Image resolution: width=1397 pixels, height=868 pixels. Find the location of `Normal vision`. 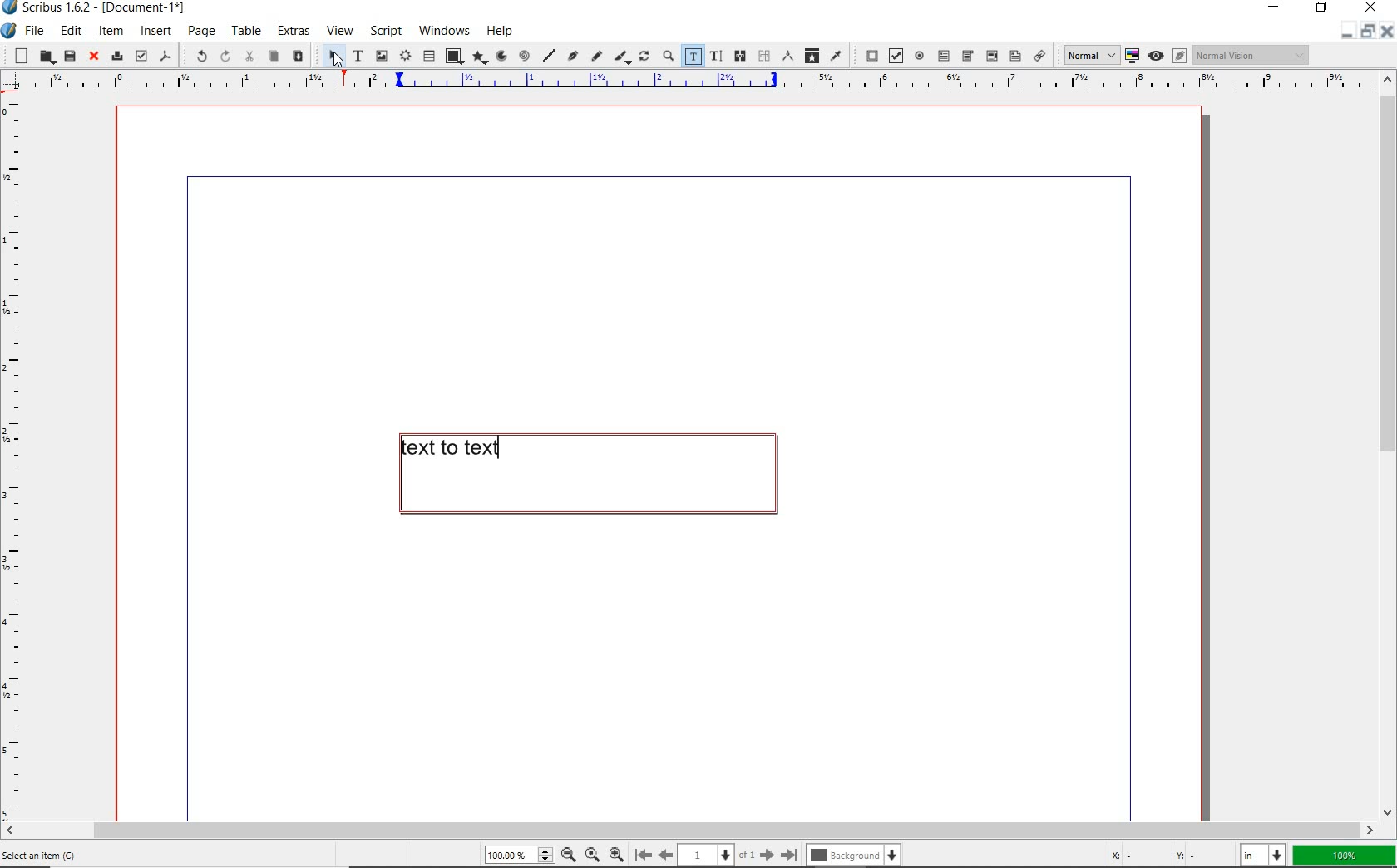

Normal vision is located at coordinates (1251, 56).